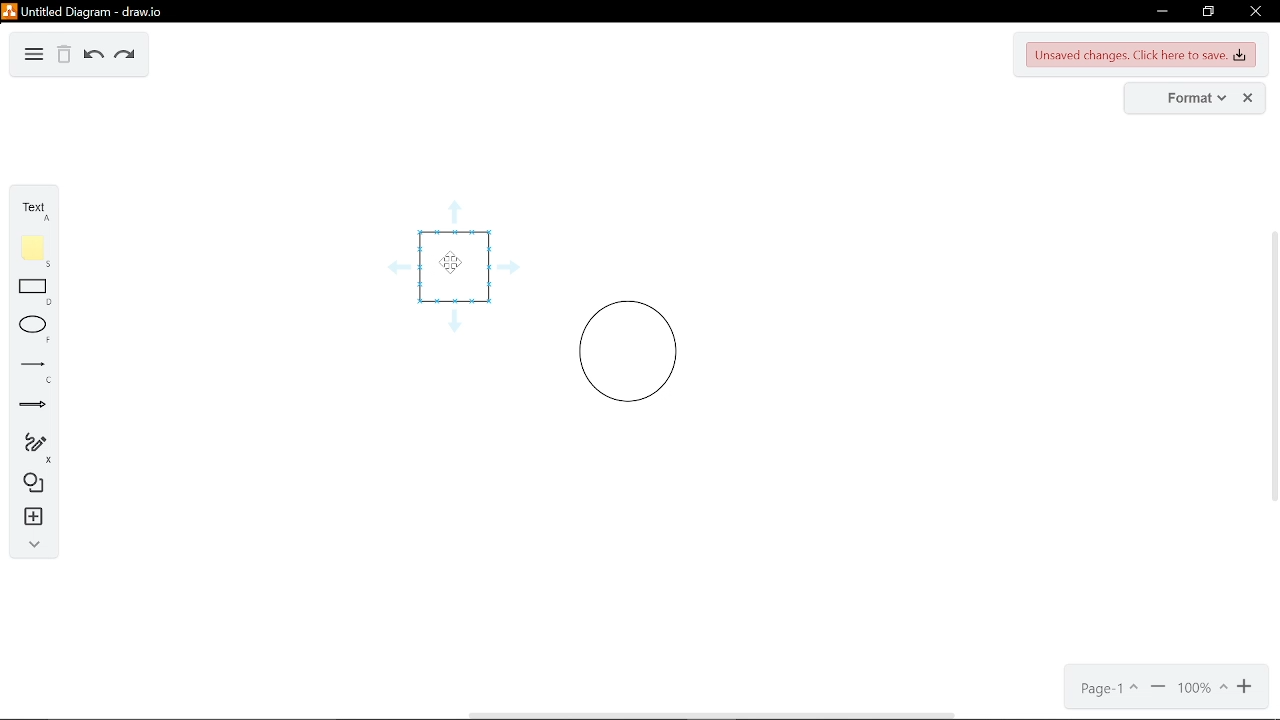 Image resolution: width=1280 pixels, height=720 pixels. Describe the element at coordinates (1159, 12) in the screenshot. I see `minimize` at that location.